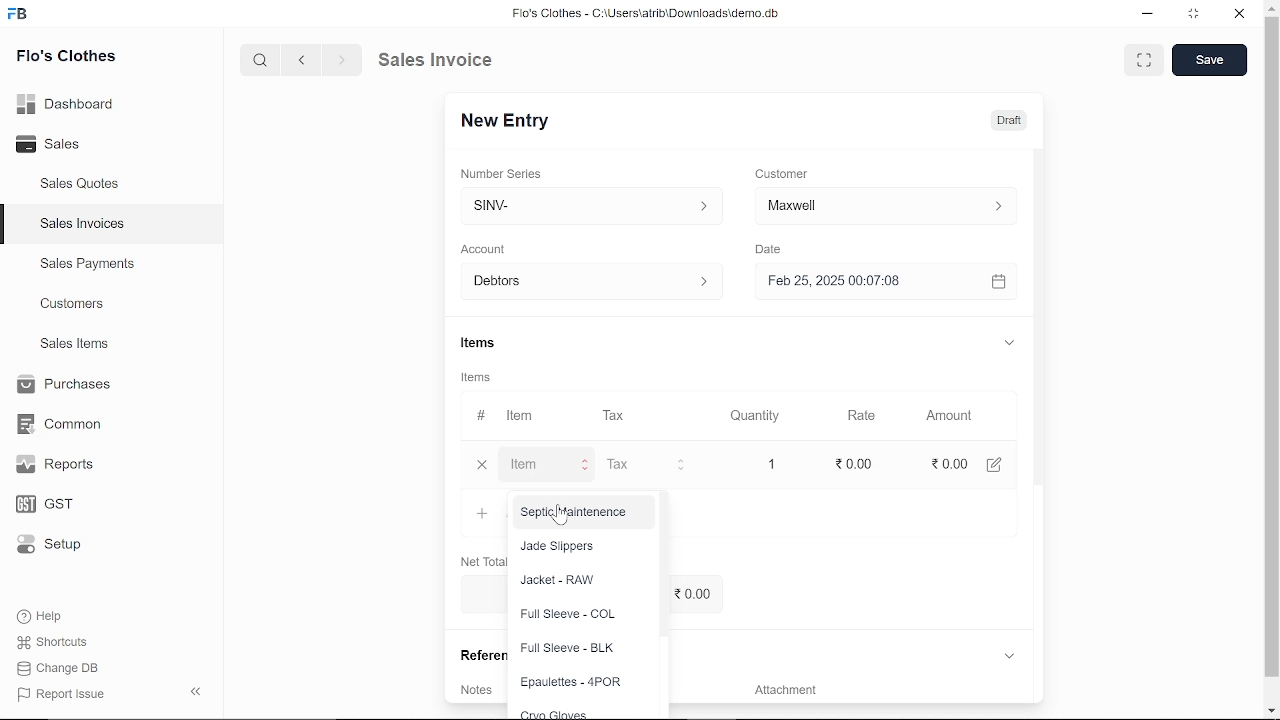 The height and width of the screenshot is (720, 1280). Describe the element at coordinates (790, 173) in the screenshot. I see `Customer` at that location.